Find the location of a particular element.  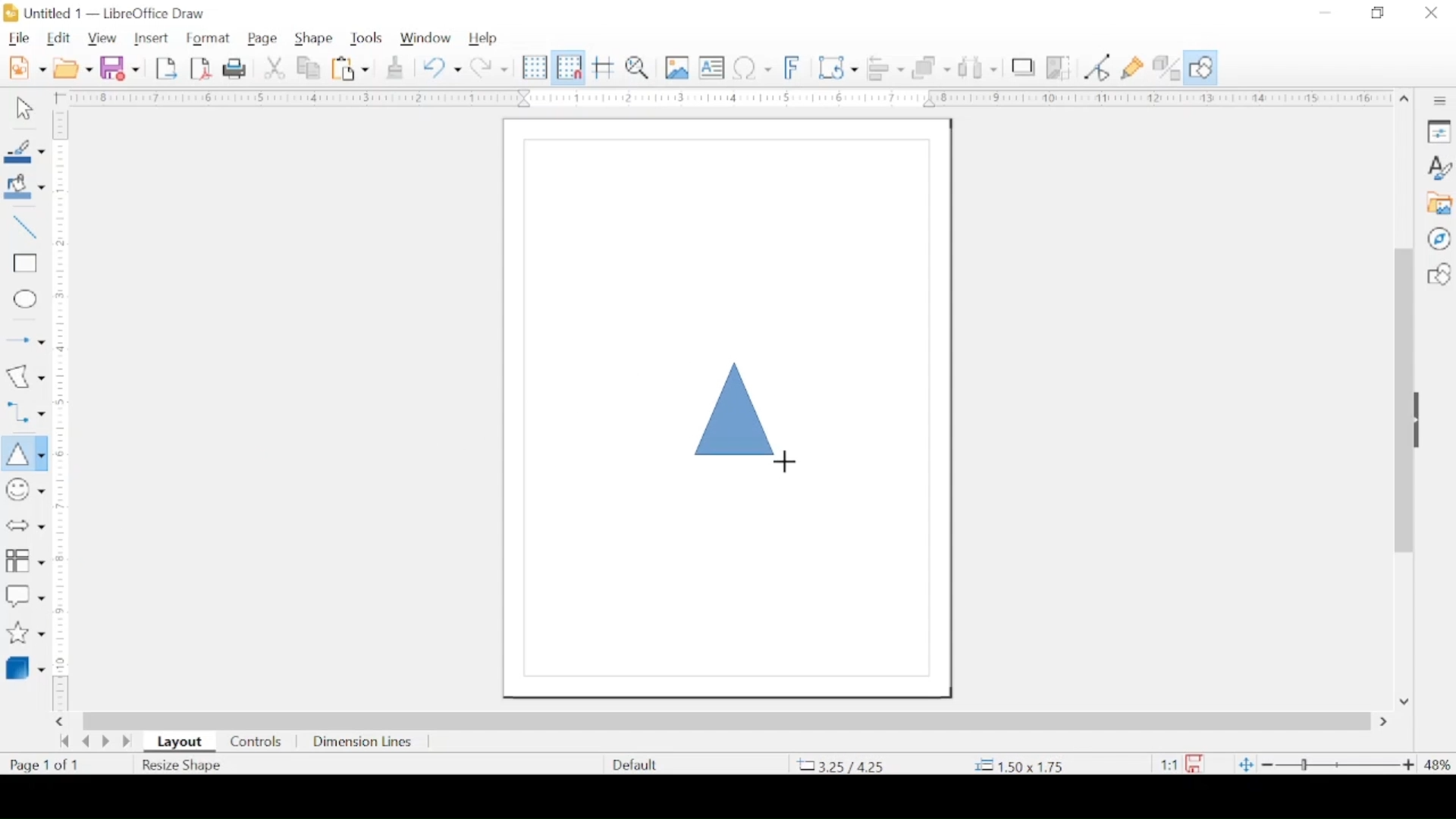

toggle extrusion is located at coordinates (1167, 67).